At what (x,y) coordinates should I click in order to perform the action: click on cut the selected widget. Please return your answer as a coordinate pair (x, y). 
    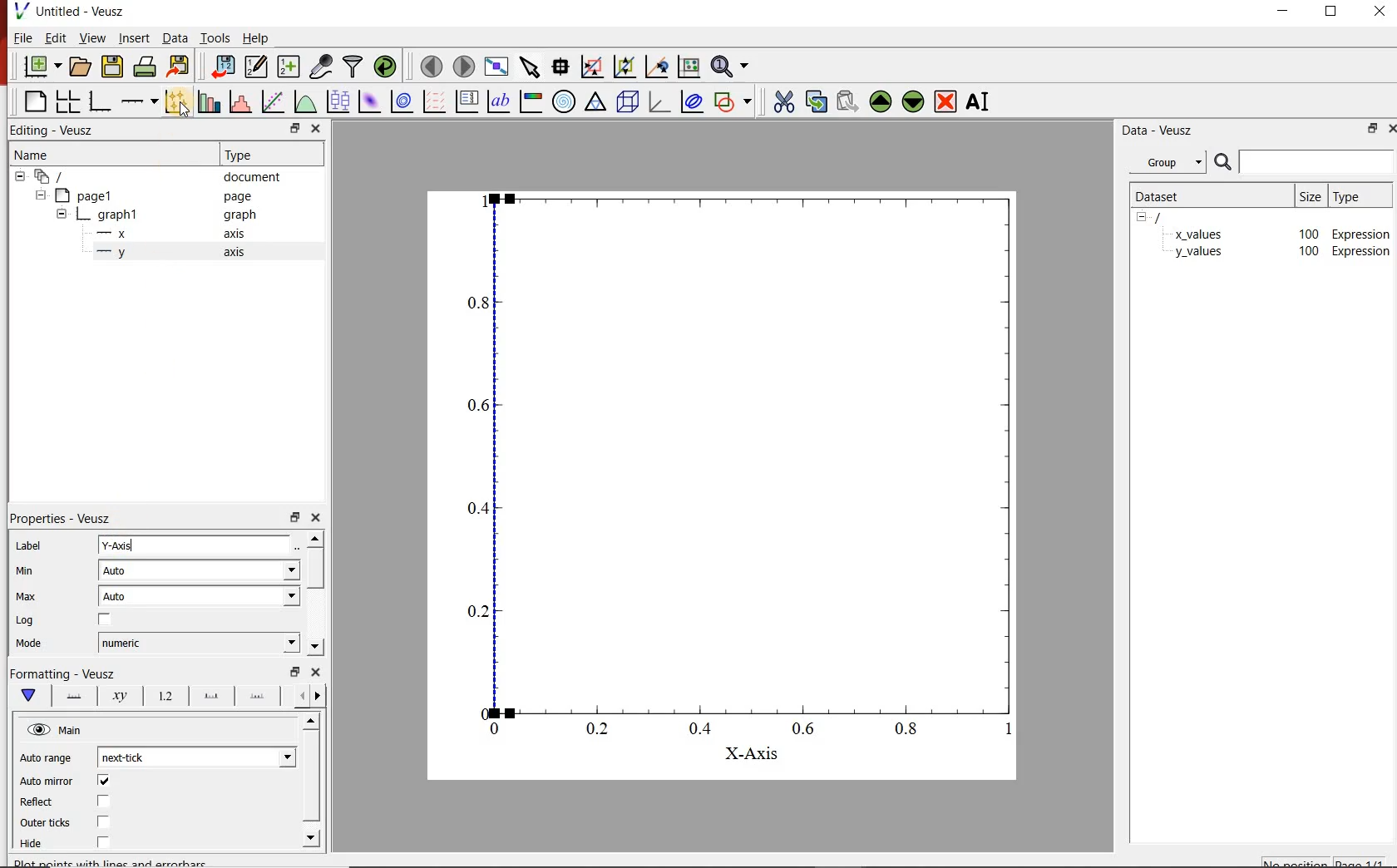
    Looking at the image, I should click on (785, 103).